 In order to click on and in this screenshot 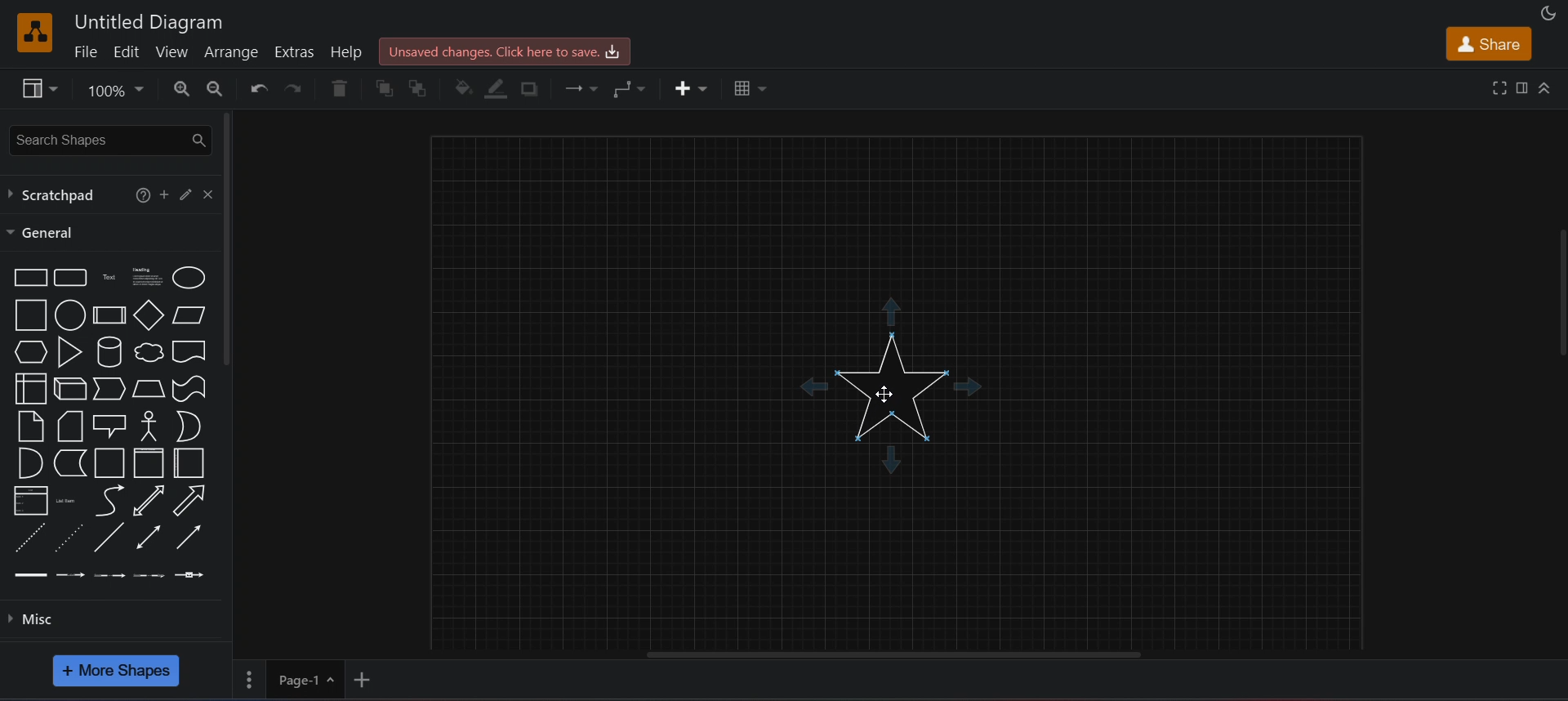, I will do `click(29, 463)`.